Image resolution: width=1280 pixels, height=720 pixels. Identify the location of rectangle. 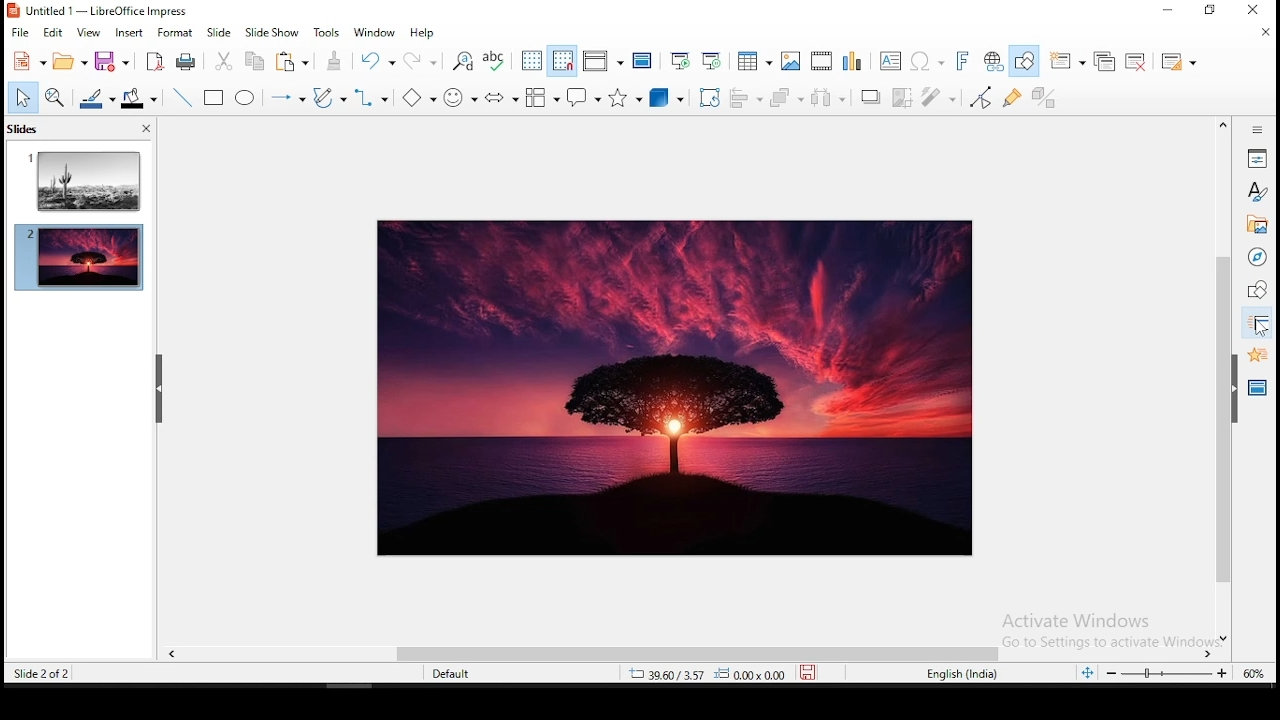
(215, 98).